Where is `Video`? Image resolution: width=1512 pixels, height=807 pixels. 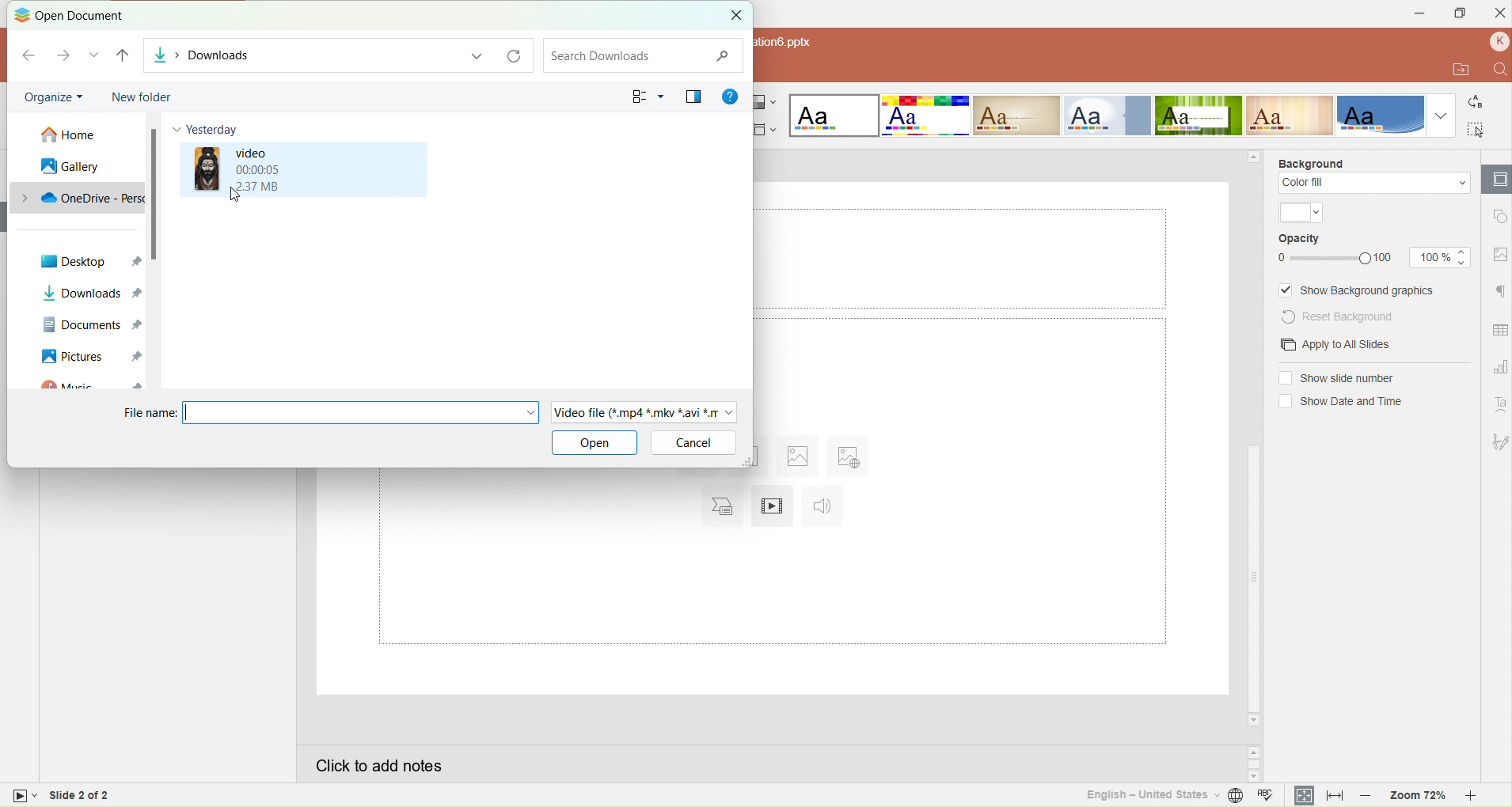
Video is located at coordinates (326, 170).